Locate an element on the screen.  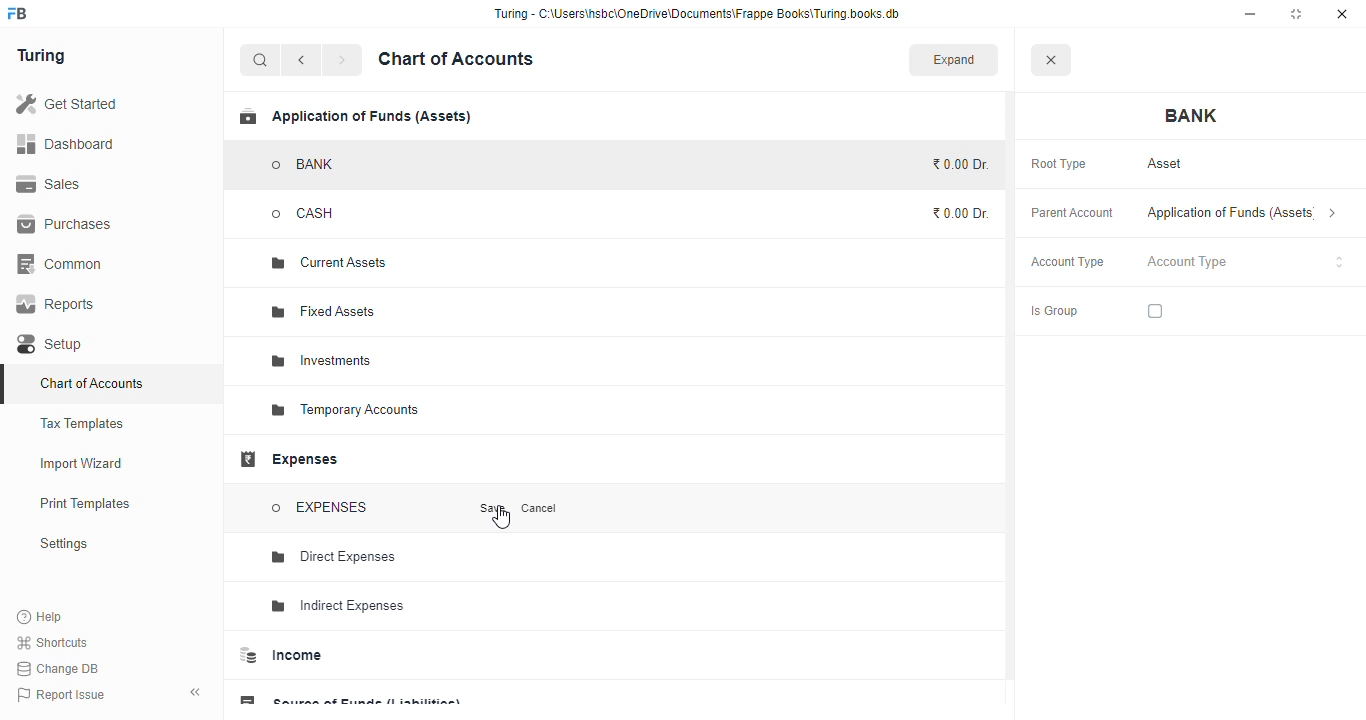
sales is located at coordinates (49, 184).